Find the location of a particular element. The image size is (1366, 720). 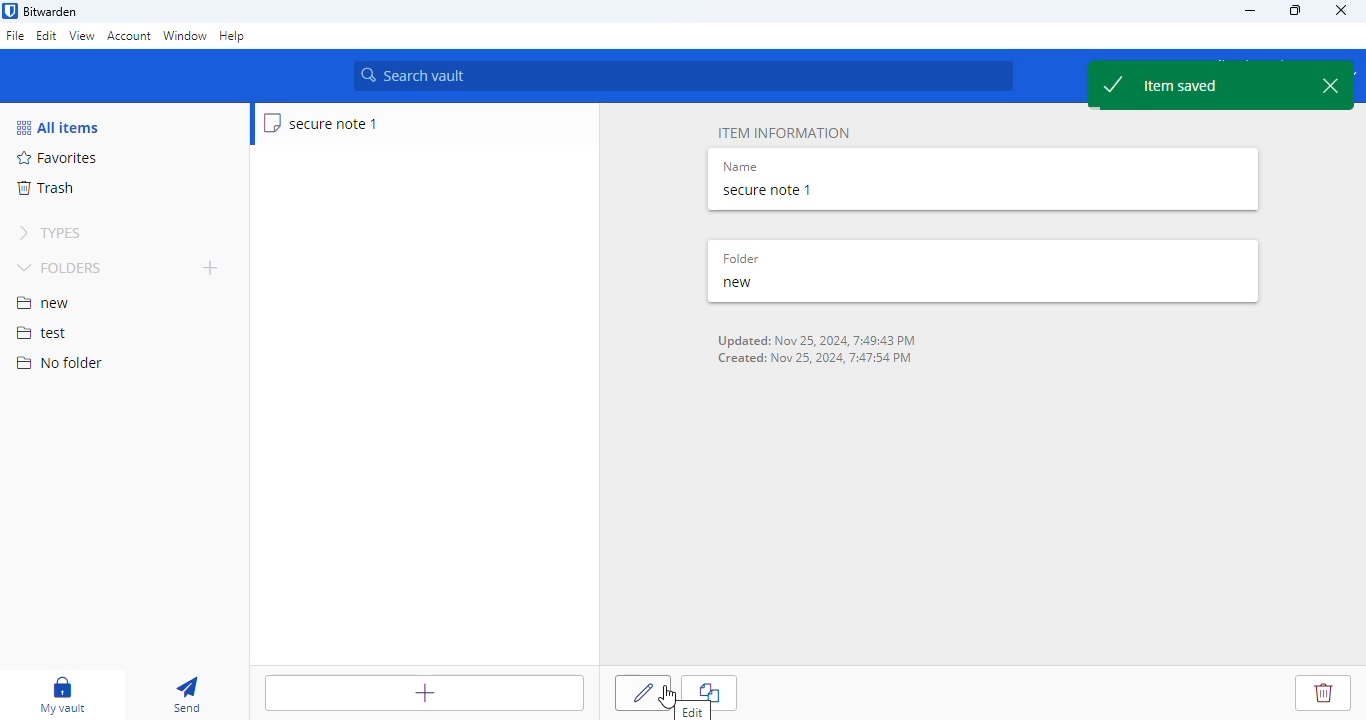

search vault is located at coordinates (683, 76).